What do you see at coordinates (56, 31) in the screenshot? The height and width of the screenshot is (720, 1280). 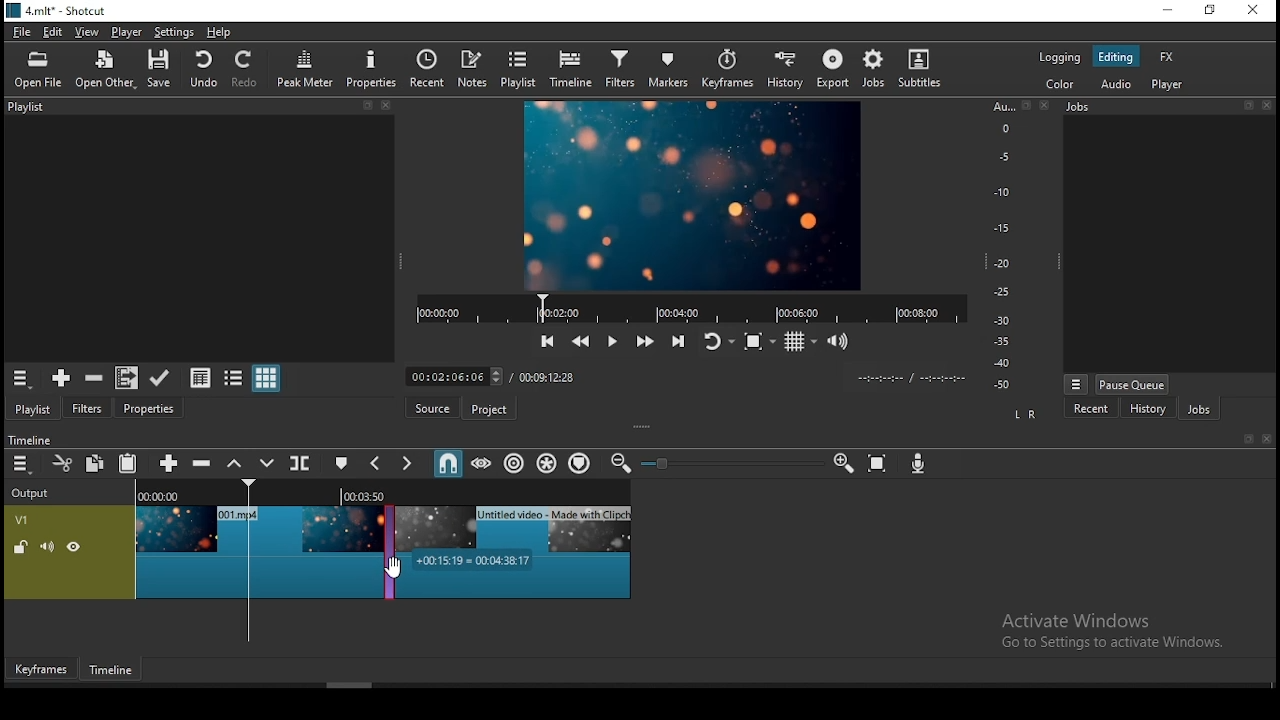 I see `edit` at bounding box center [56, 31].